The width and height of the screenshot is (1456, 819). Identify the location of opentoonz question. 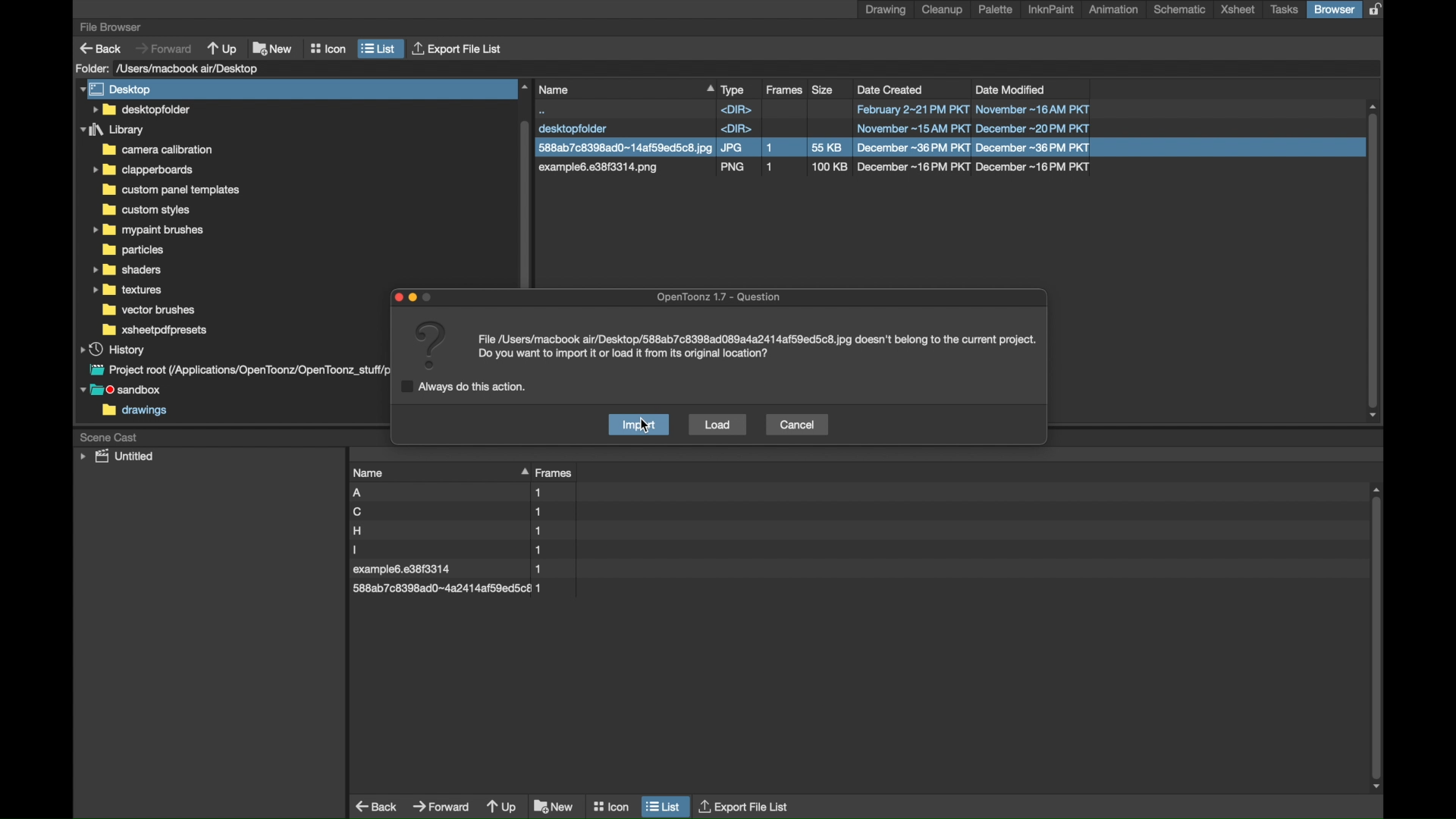
(718, 297).